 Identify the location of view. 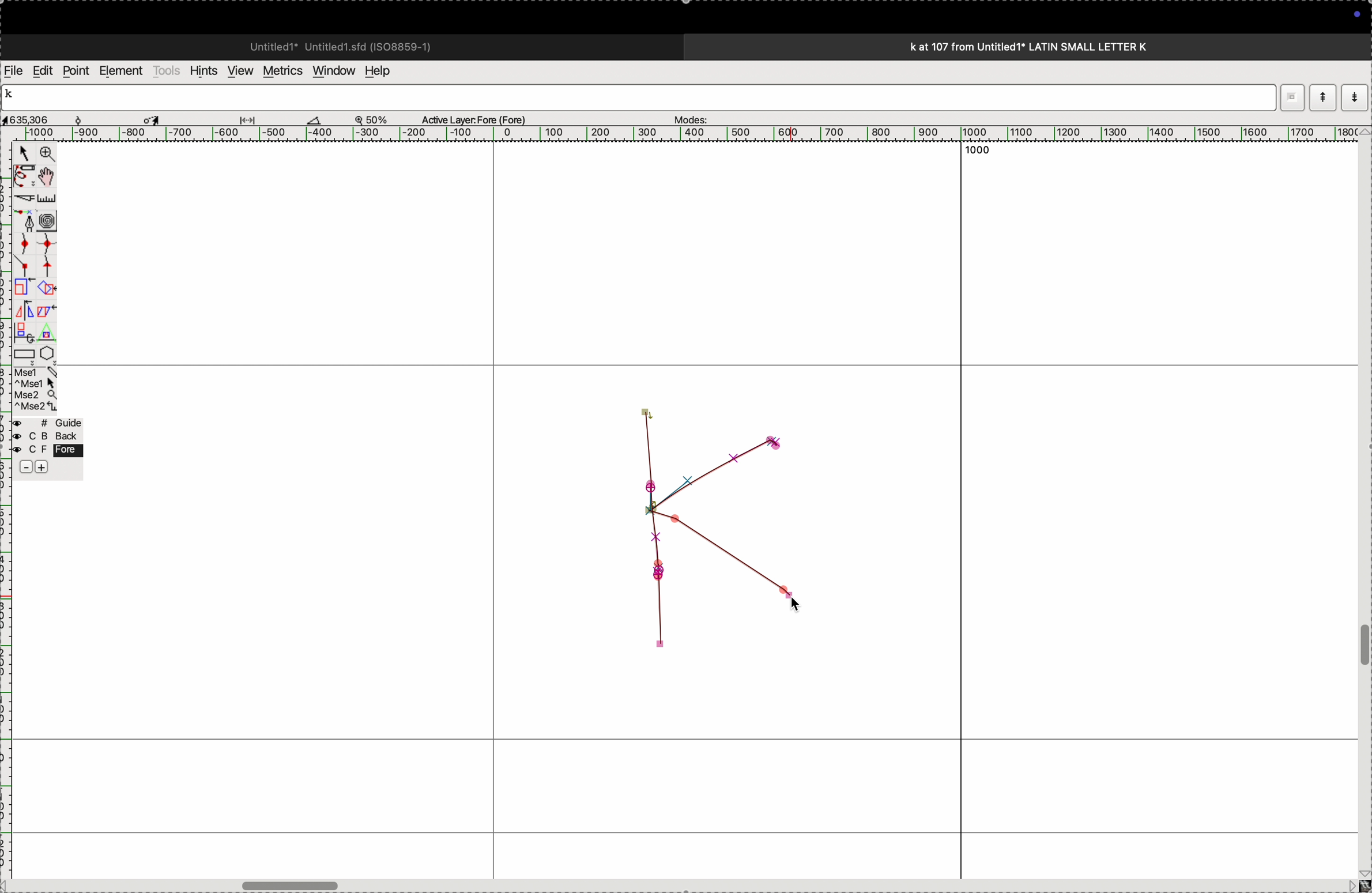
(237, 71).